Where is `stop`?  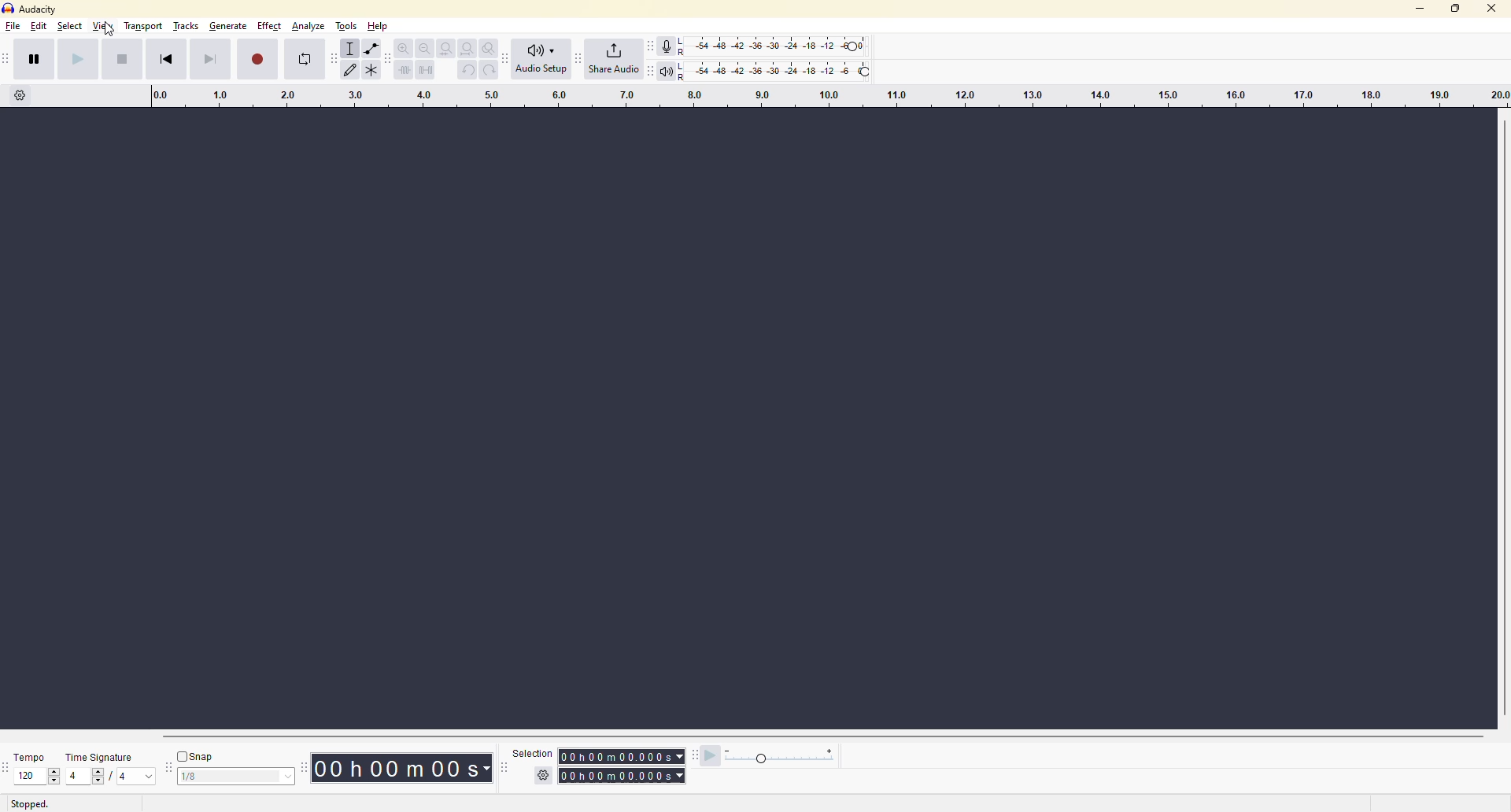
stop is located at coordinates (120, 60).